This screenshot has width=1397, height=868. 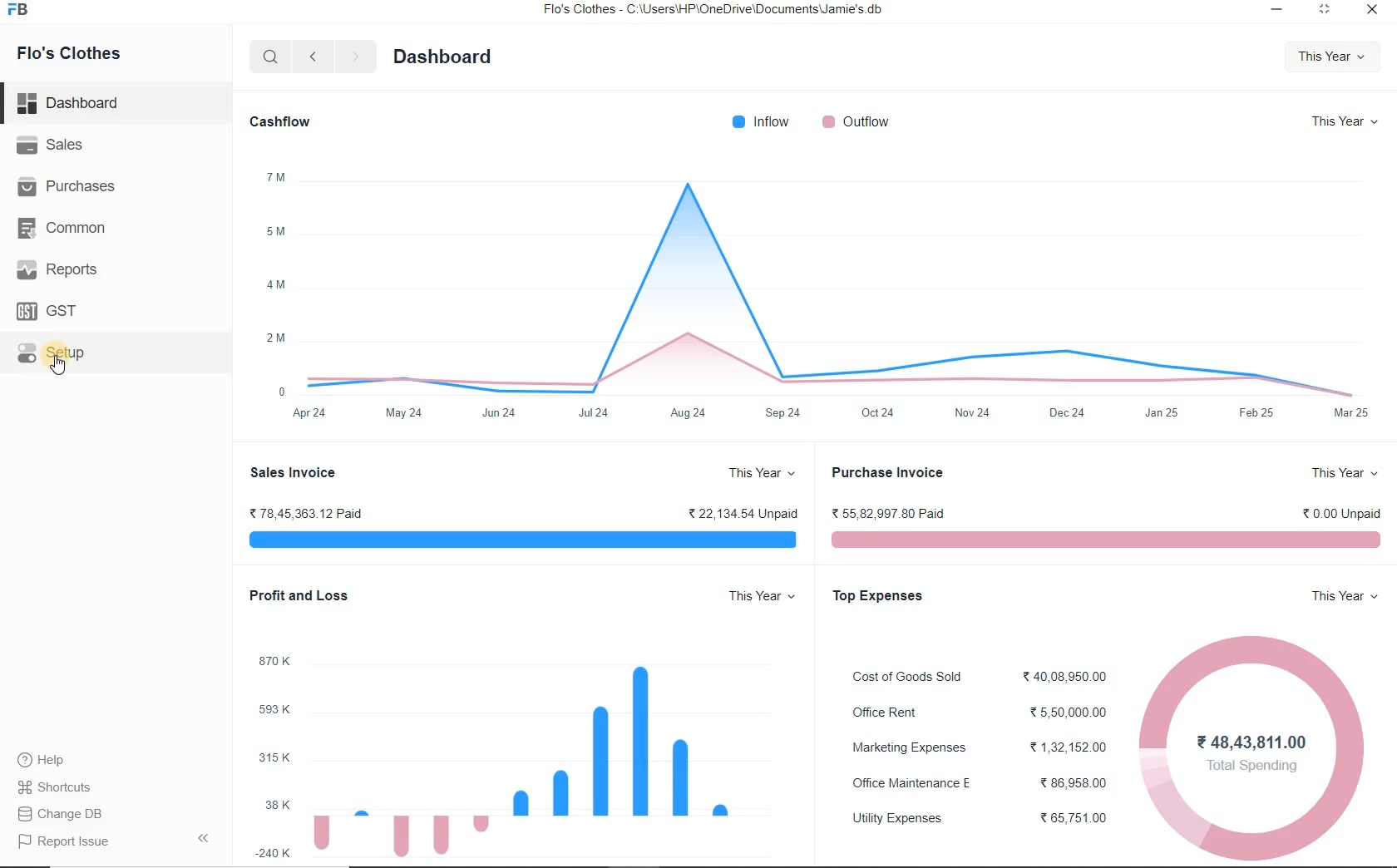 I want to click on Dashboard, so click(x=445, y=57).